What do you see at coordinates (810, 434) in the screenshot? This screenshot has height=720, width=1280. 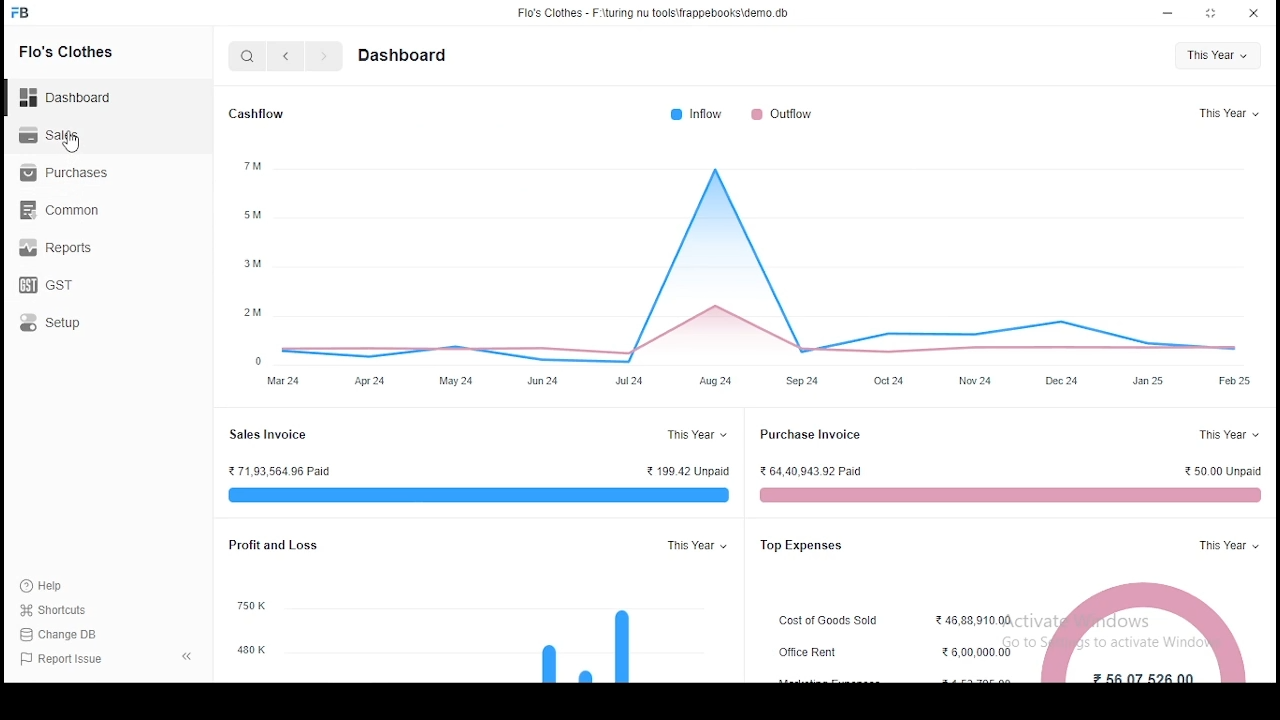 I see `purchase invoice` at bounding box center [810, 434].